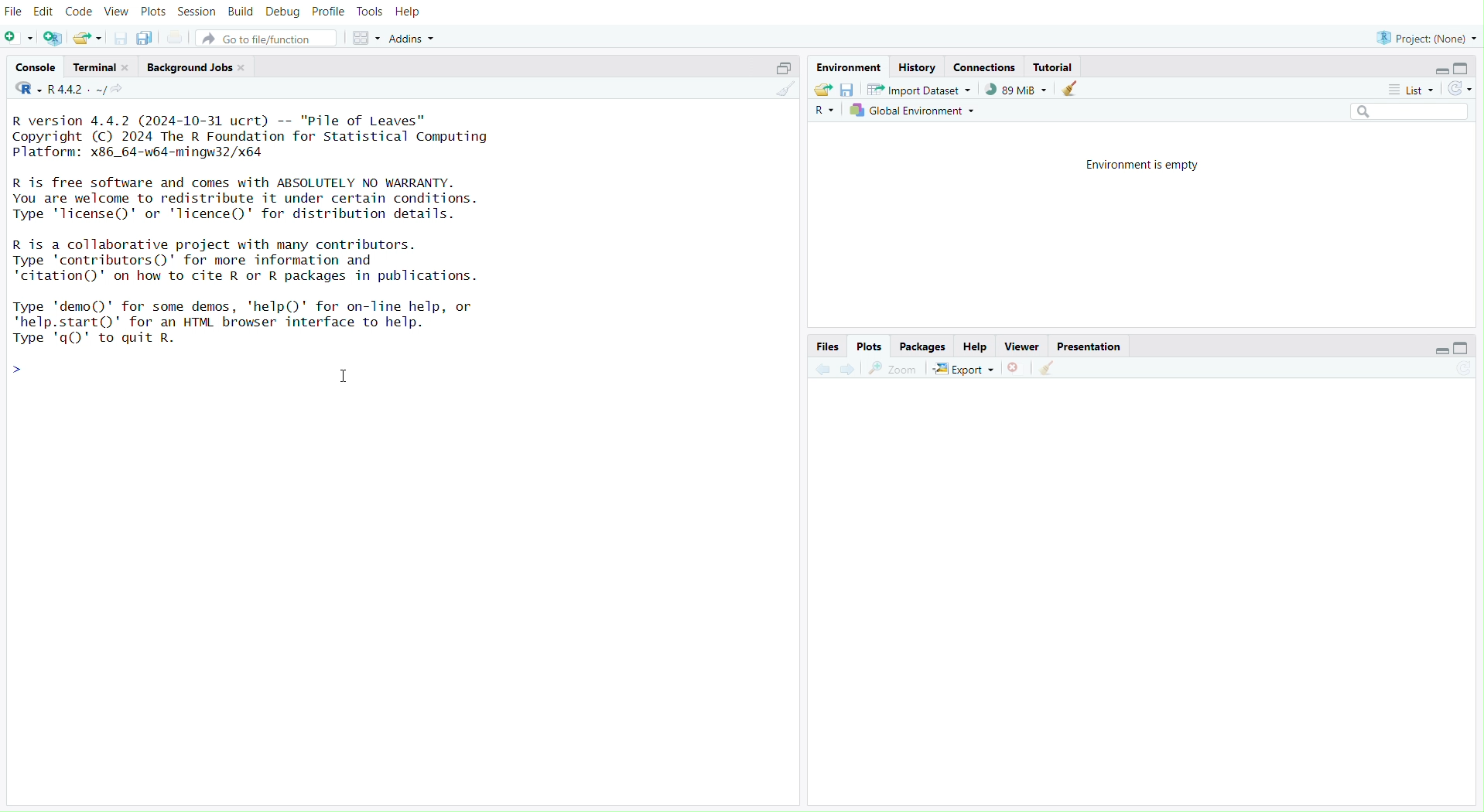 The height and width of the screenshot is (812, 1484). Describe the element at coordinates (194, 67) in the screenshot. I see `Background Jobs` at that location.